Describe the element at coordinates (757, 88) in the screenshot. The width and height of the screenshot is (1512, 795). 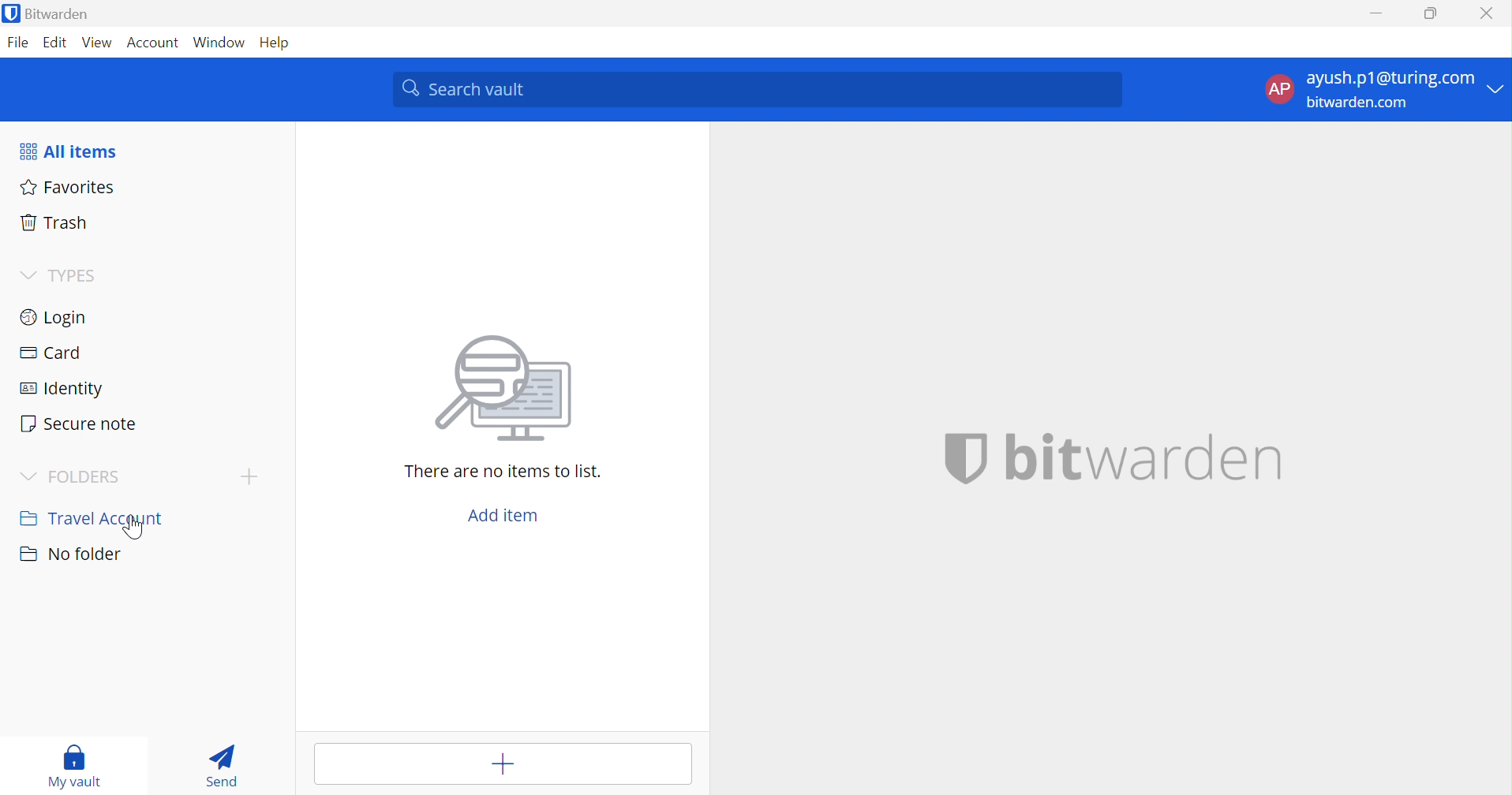
I see `Search Vault` at that location.